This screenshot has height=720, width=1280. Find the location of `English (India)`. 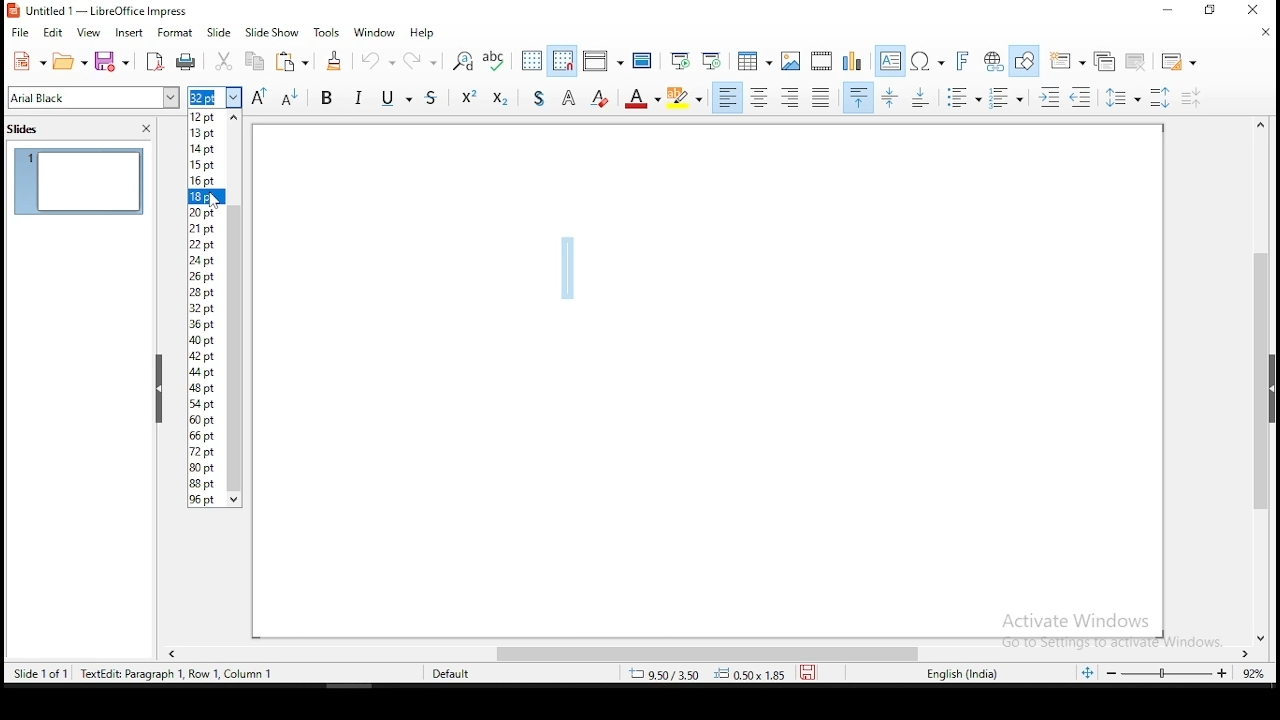

English (India) is located at coordinates (962, 674).